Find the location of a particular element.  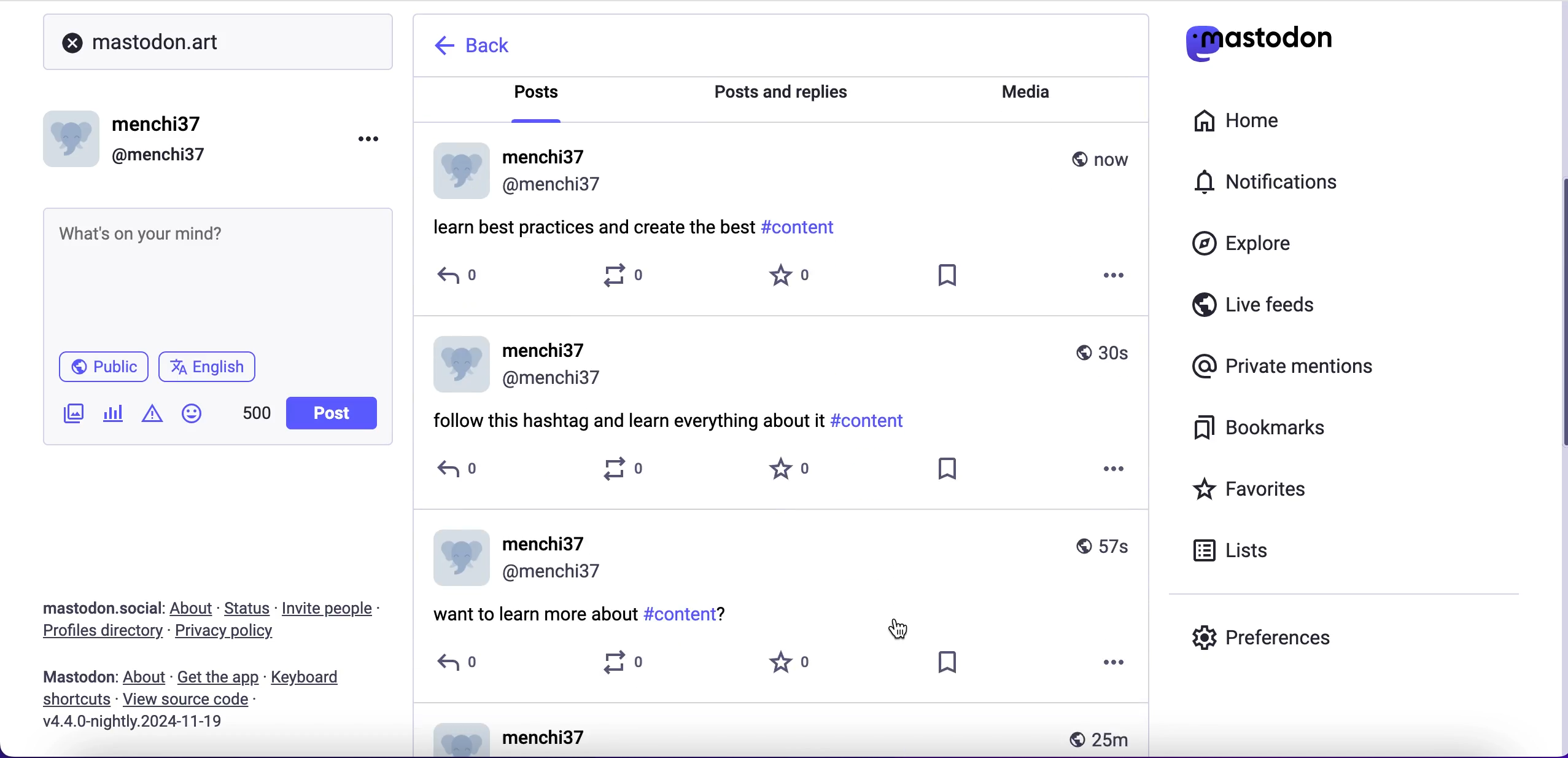

post is located at coordinates (330, 413).